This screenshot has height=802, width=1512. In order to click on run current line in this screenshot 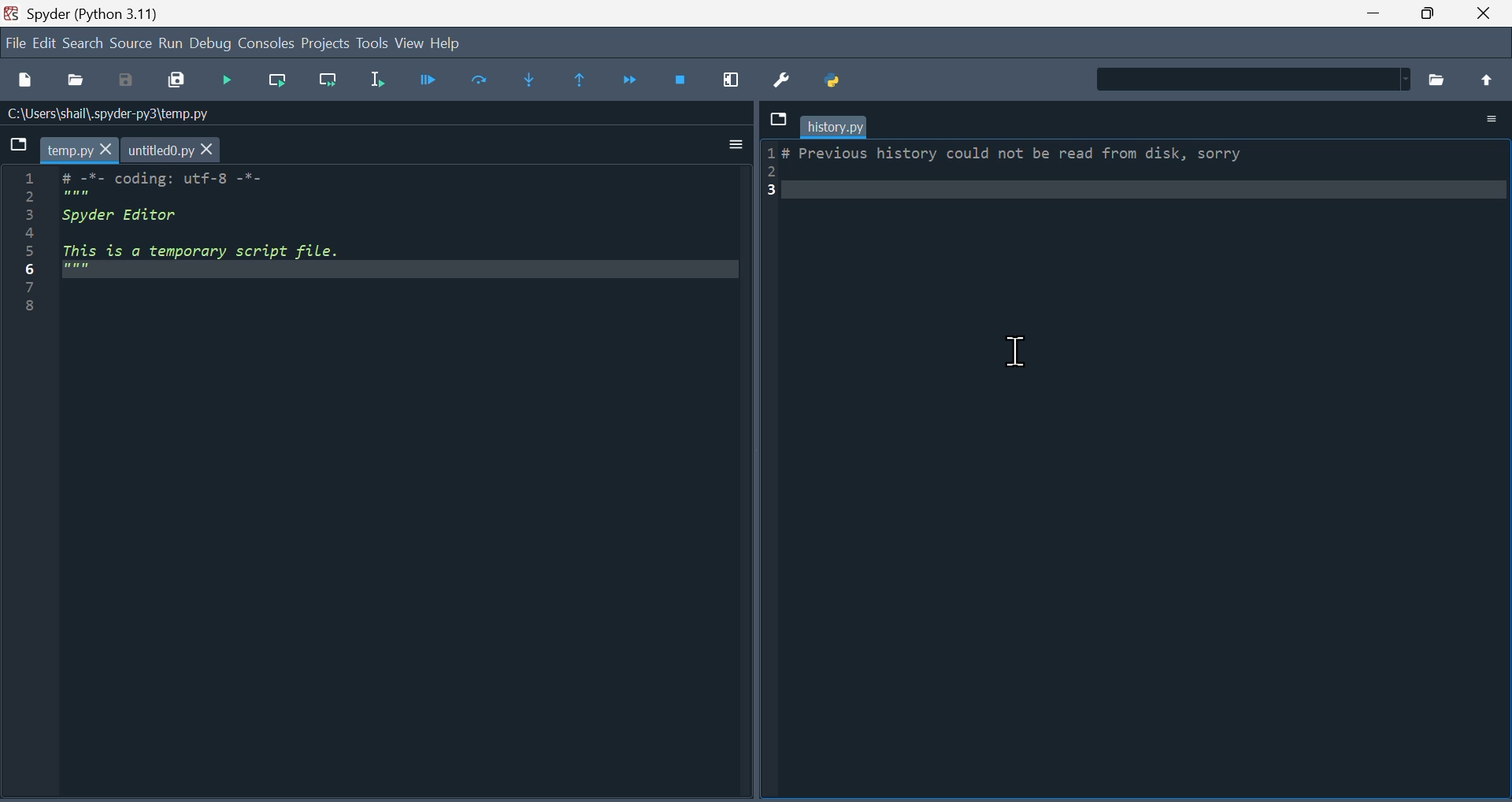, I will do `click(277, 79)`.